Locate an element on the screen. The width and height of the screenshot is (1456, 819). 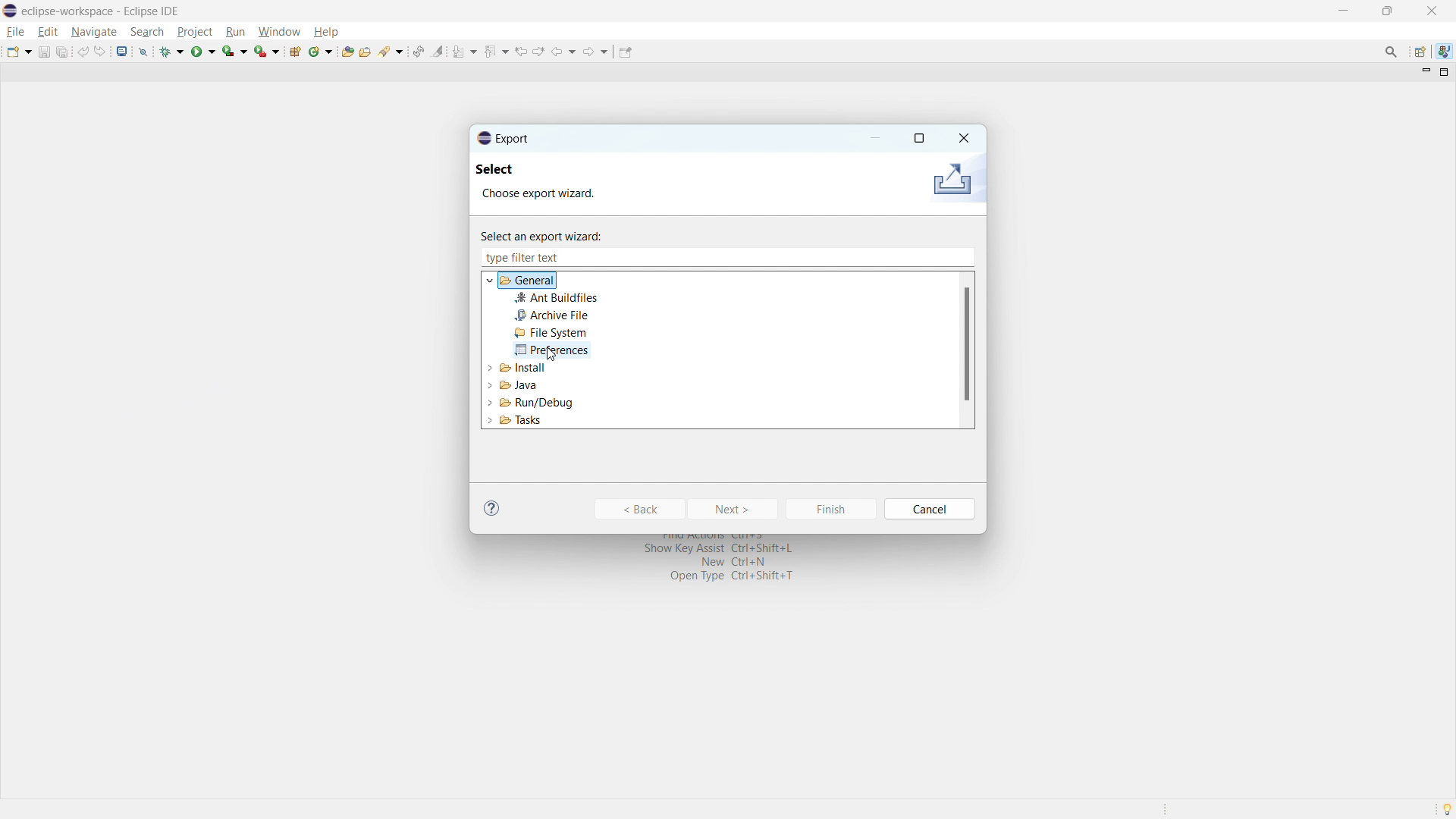
logo is located at coordinates (951, 180).